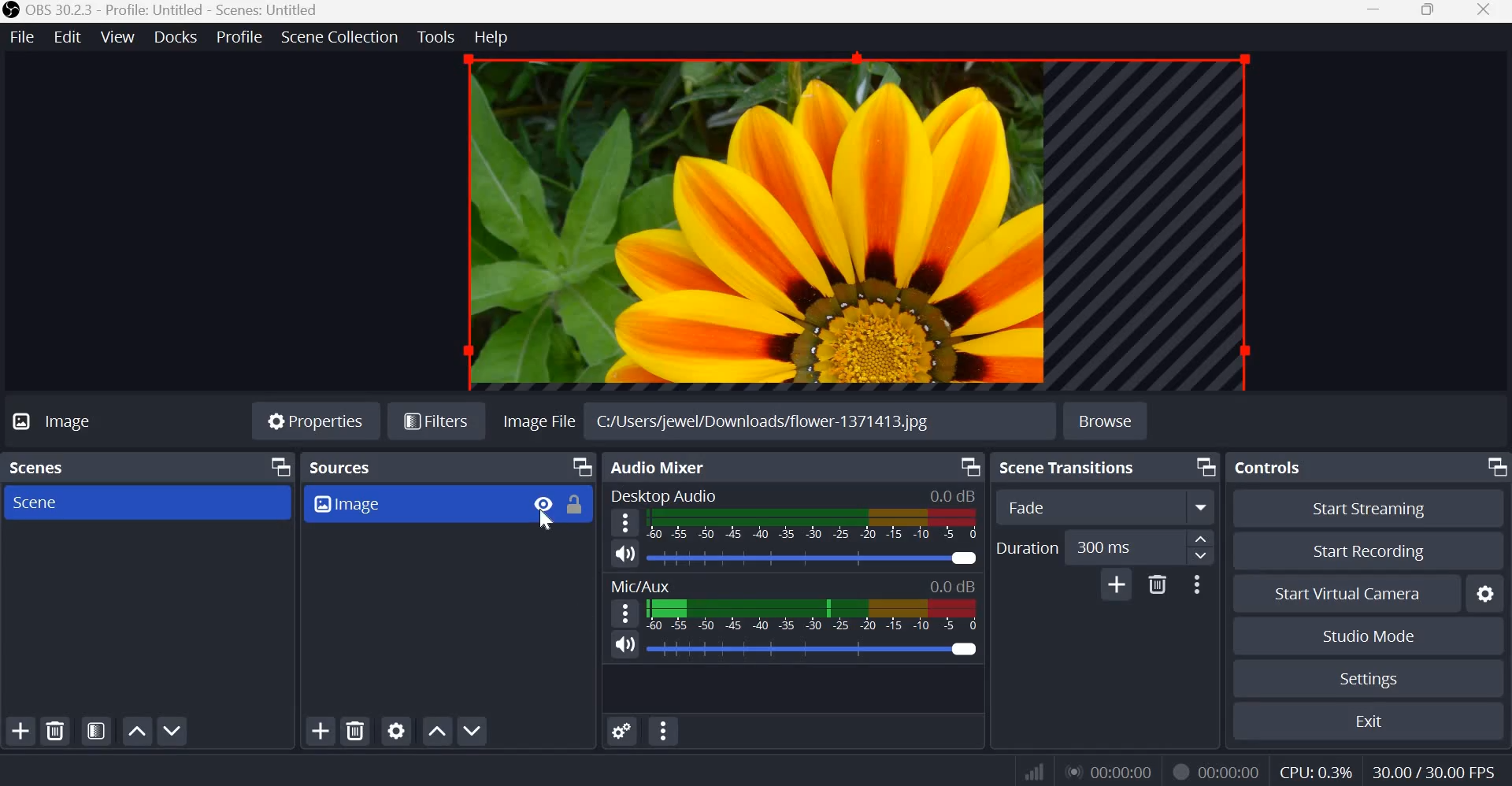 Image resolution: width=1512 pixels, height=786 pixels. I want to click on Profile, so click(239, 35).